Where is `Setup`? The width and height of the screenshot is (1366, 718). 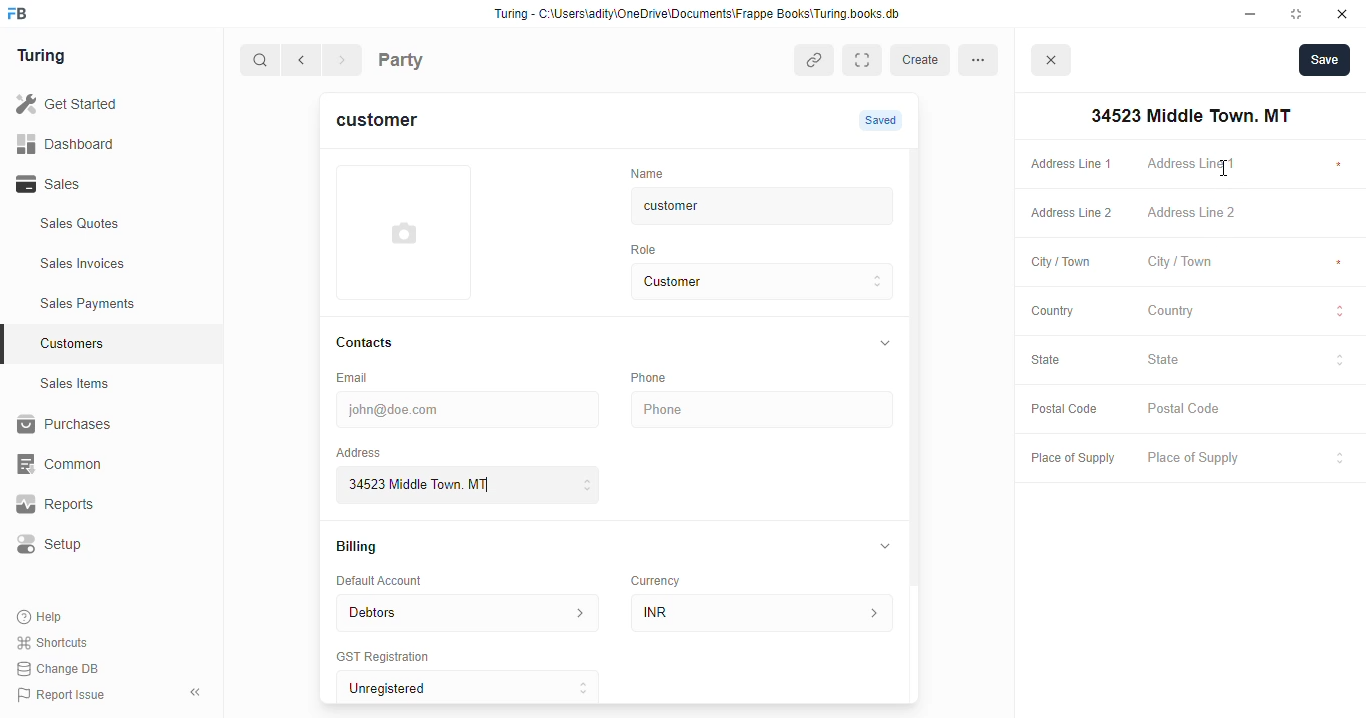 Setup is located at coordinates (101, 544).